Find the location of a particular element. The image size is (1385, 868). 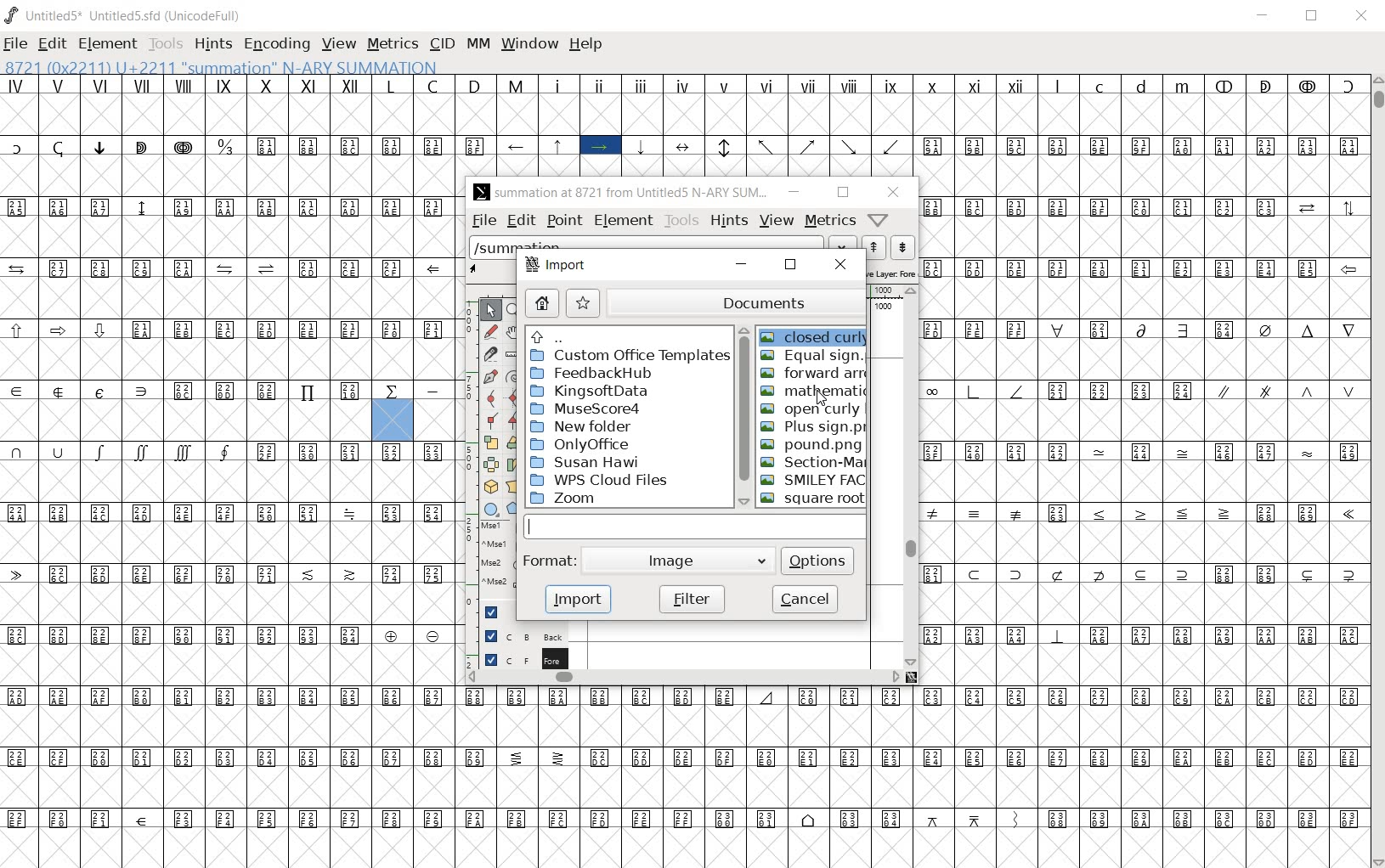

MuseScore4 is located at coordinates (585, 409).